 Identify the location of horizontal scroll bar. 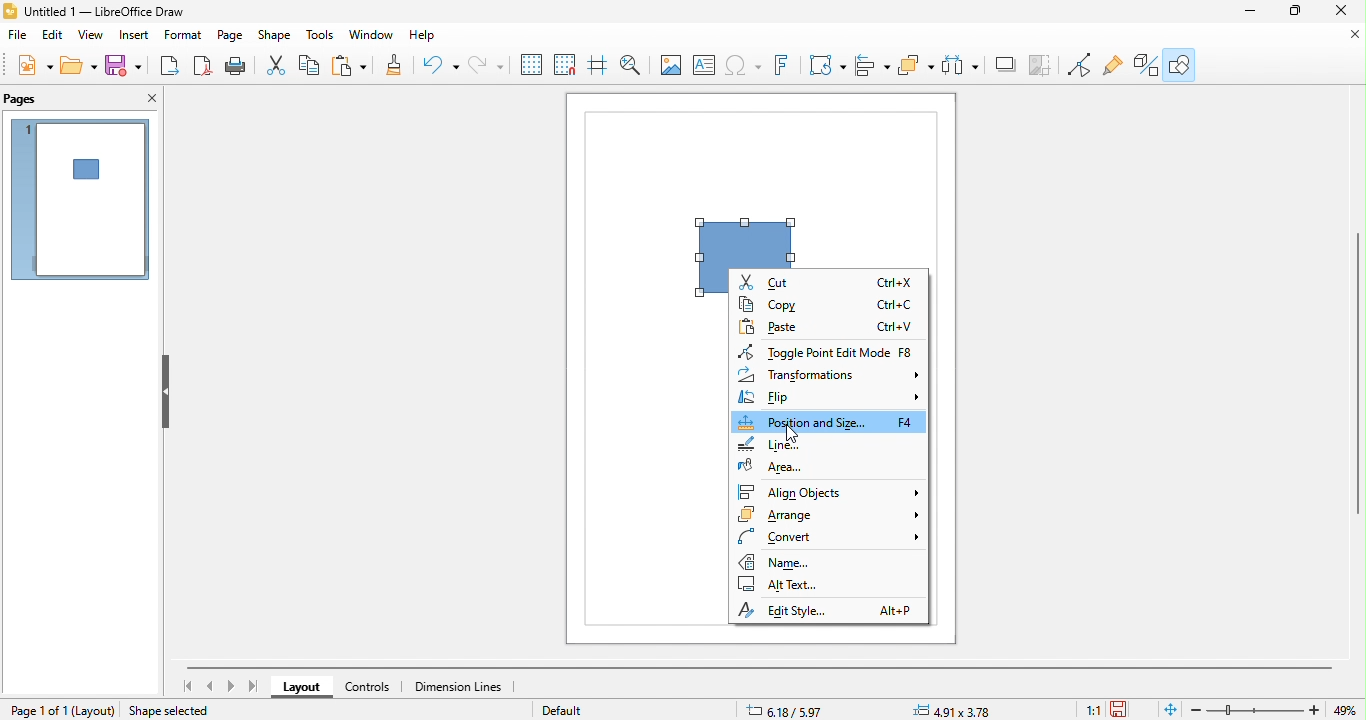
(760, 667).